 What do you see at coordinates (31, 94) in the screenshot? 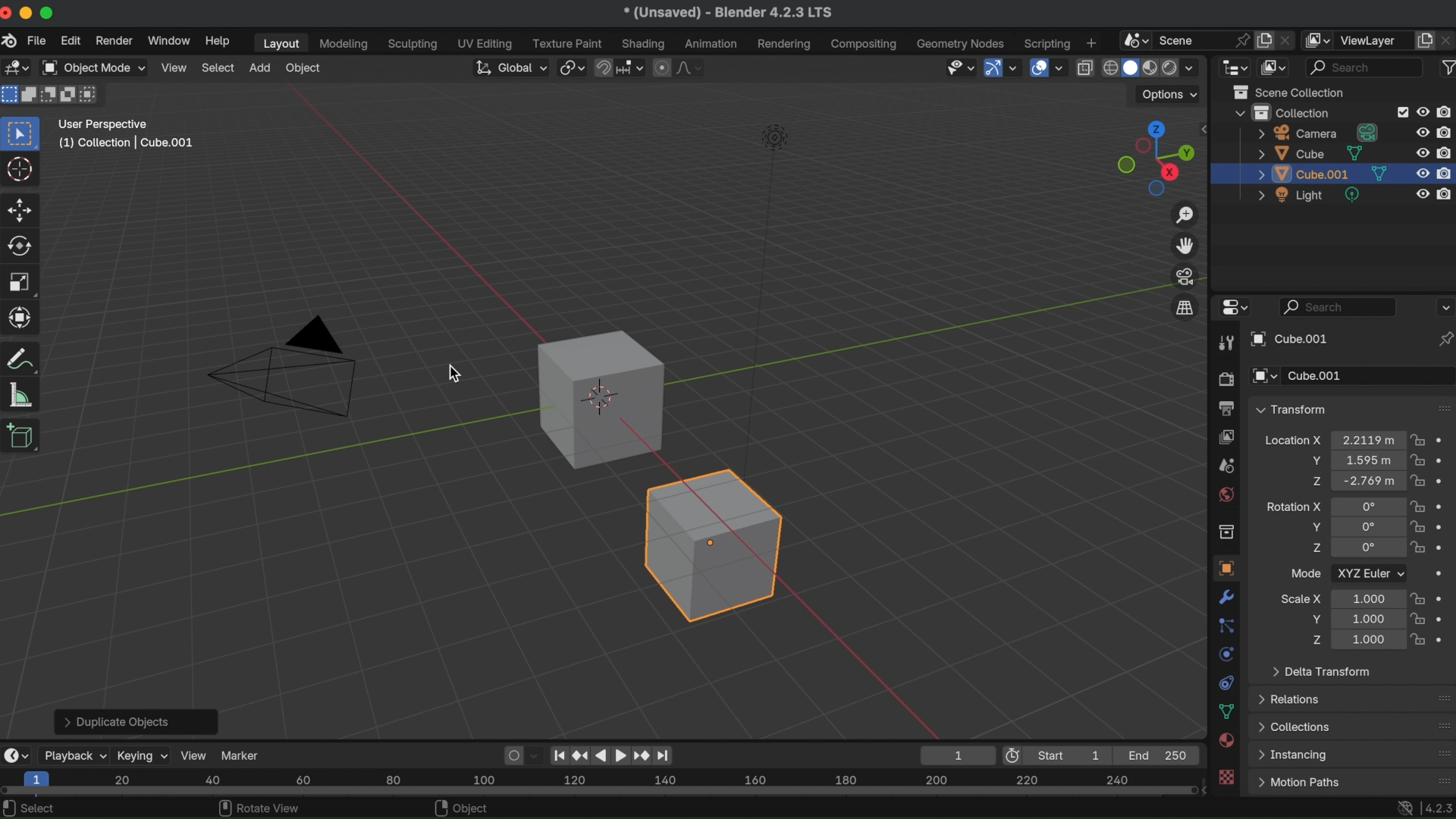
I see `mode extend existing condition` at bounding box center [31, 94].